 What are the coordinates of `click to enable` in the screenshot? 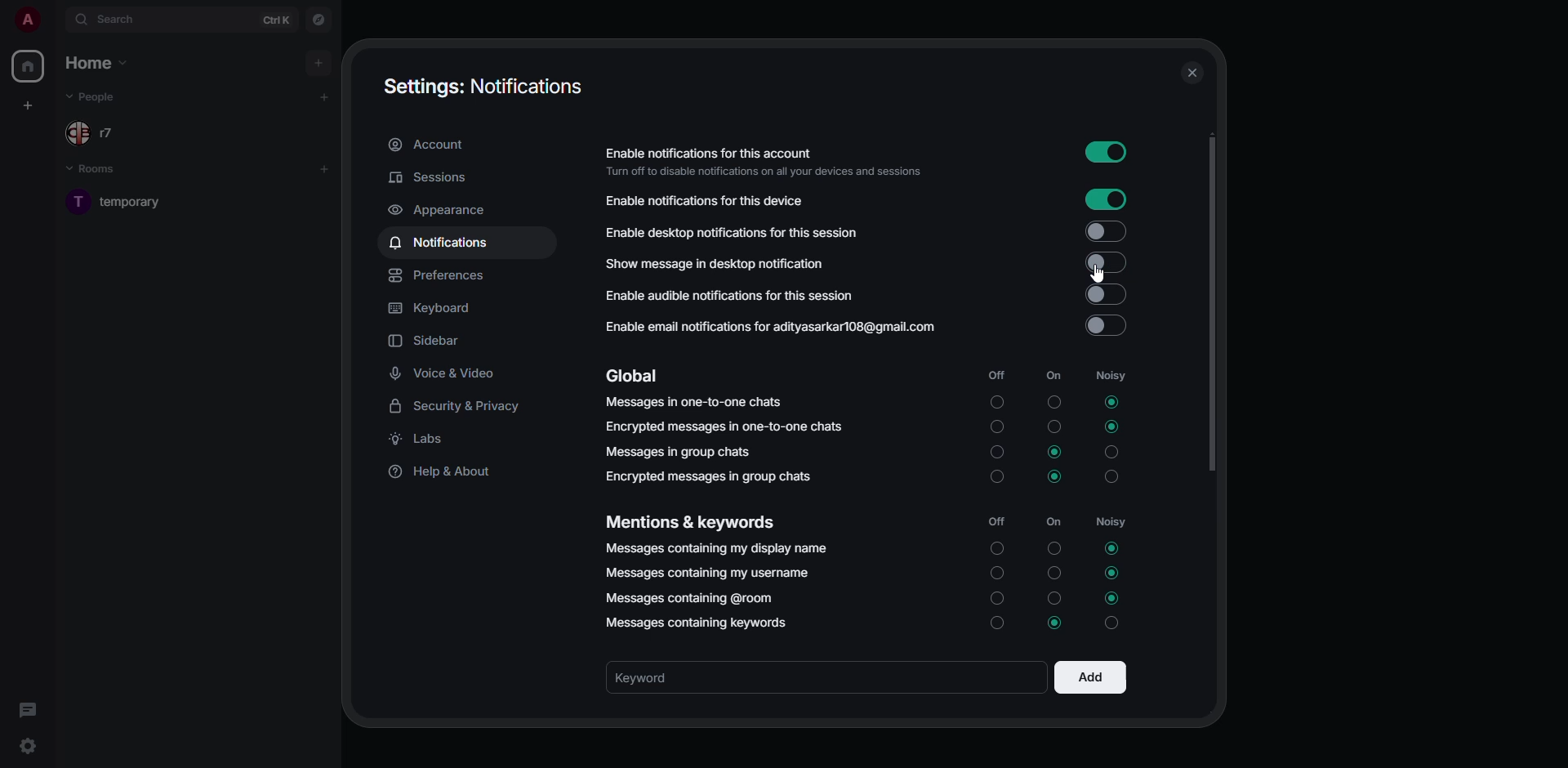 It's located at (1108, 295).